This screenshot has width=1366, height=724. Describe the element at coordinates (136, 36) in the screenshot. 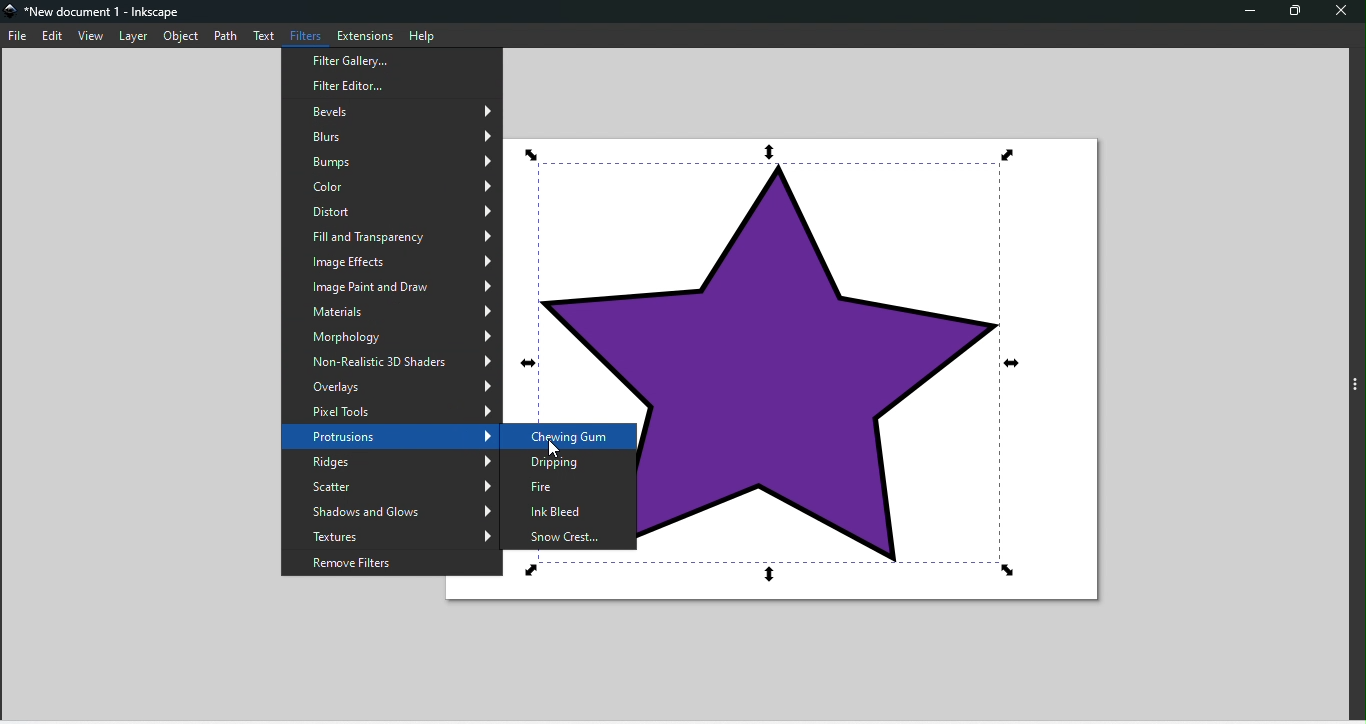

I see `Layer` at that location.